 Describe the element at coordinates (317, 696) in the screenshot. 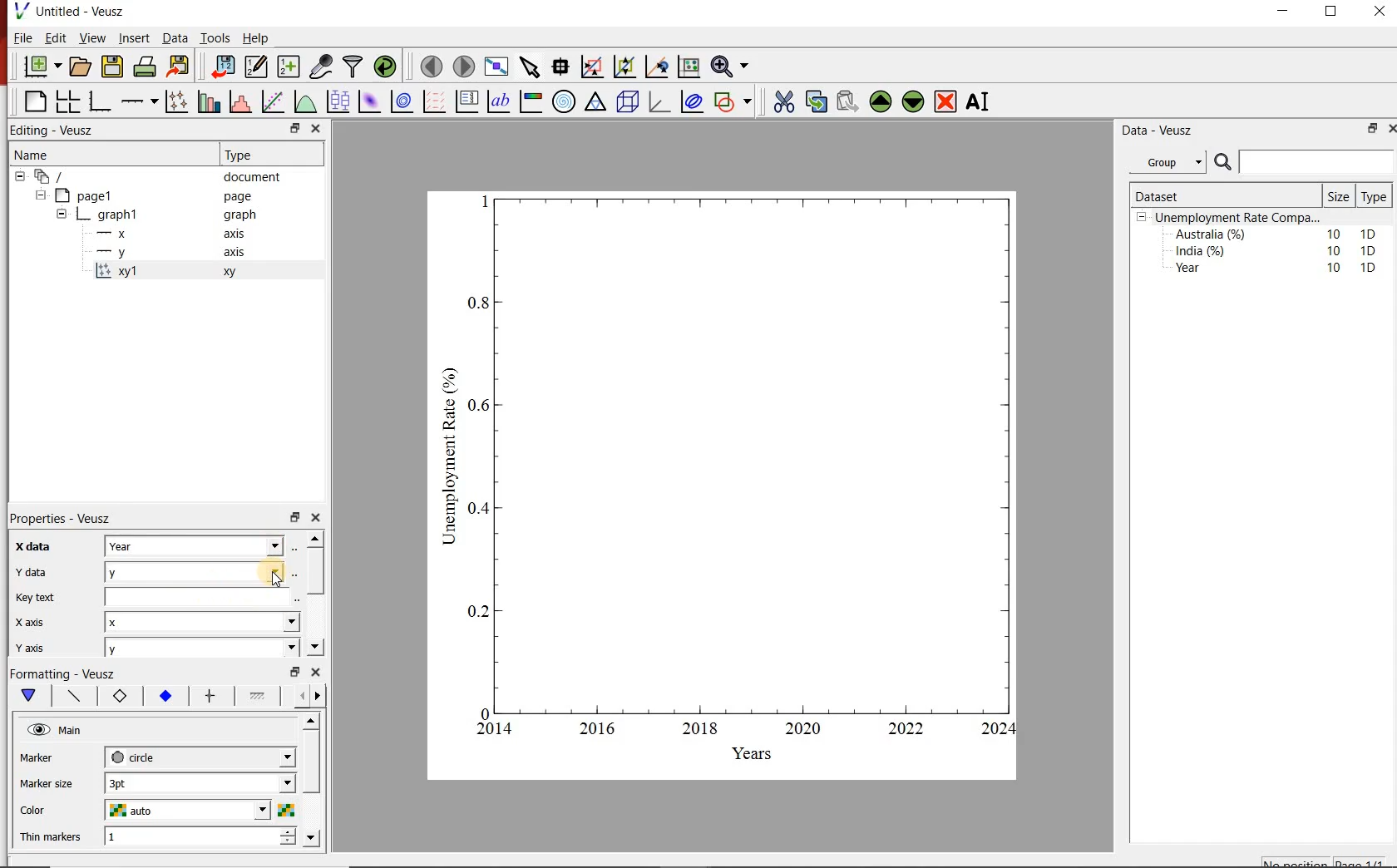

I see `move right` at that location.